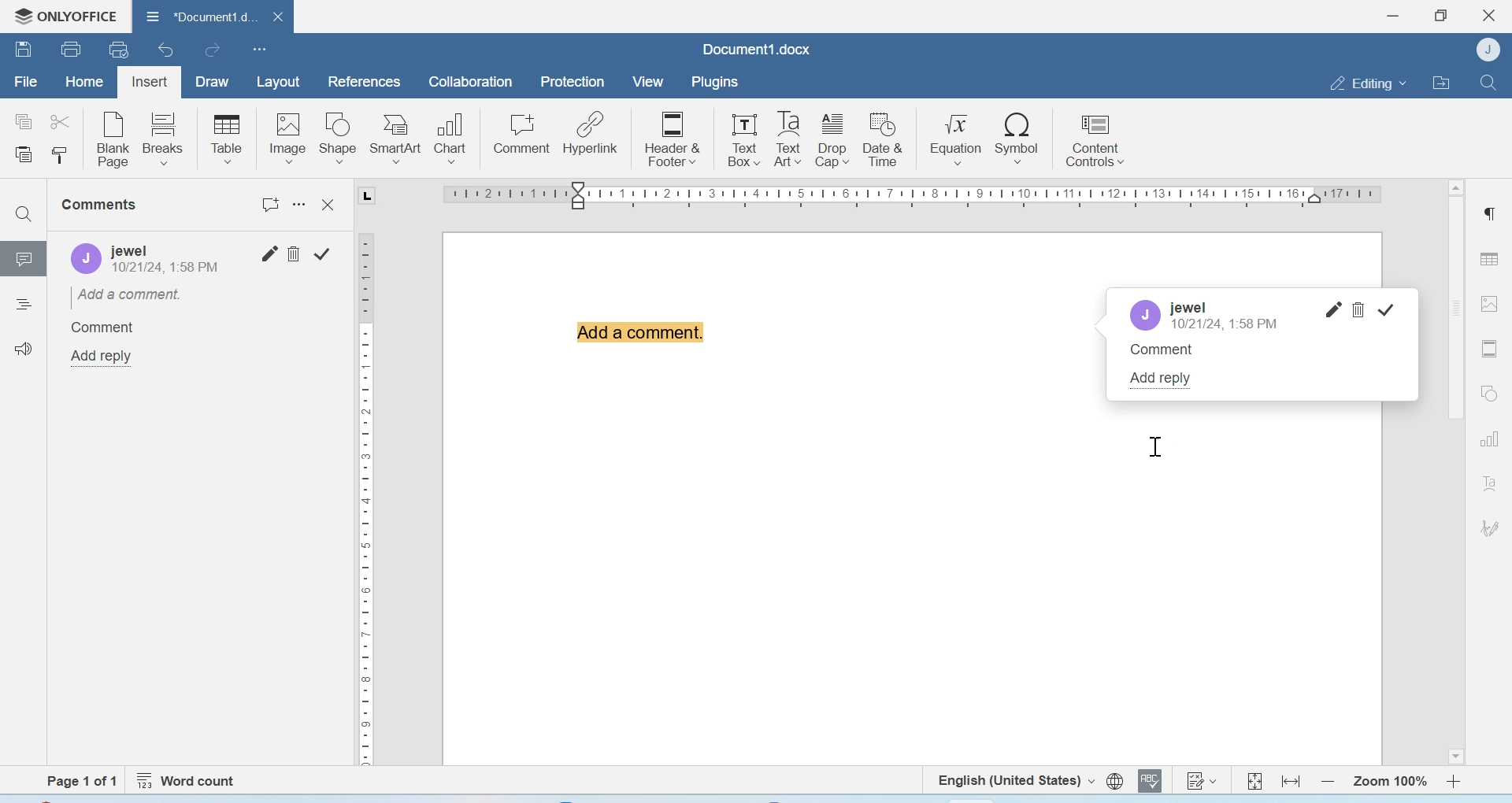 This screenshot has width=1512, height=803. I want to click on Comments button, so click(272, 205).